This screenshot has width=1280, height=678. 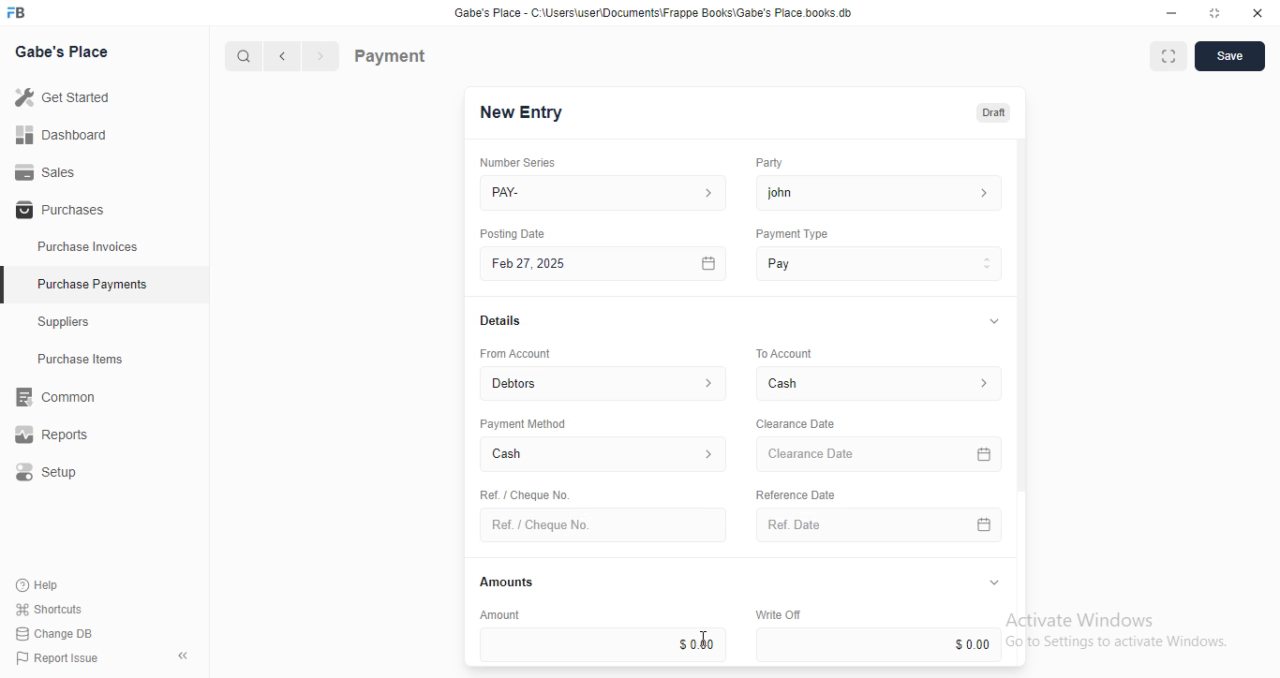 What do you see at coordinates (40, 586) in the screenshot?
I see `Help` at bounding box center [40, 586].